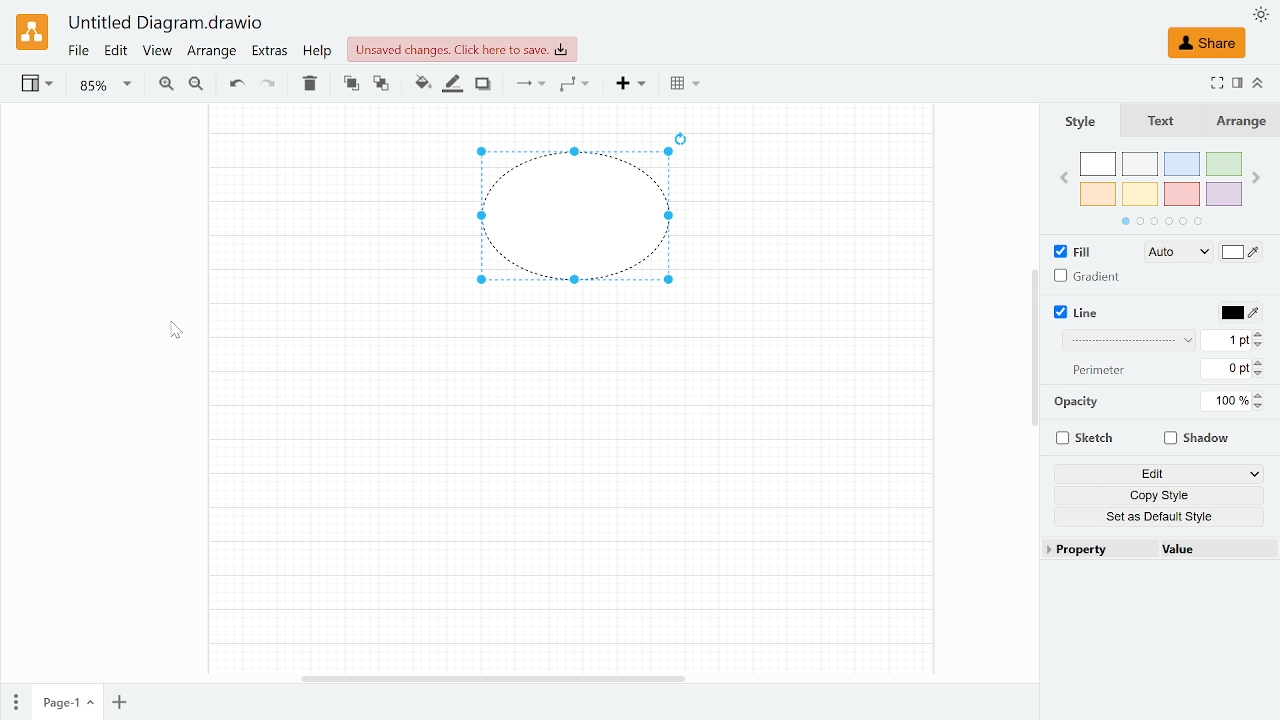 The width and height of the screenshot is (1280, 720). Describe the element at coordinates (1235, 83) in the screenshot. I see `Format` at that location.